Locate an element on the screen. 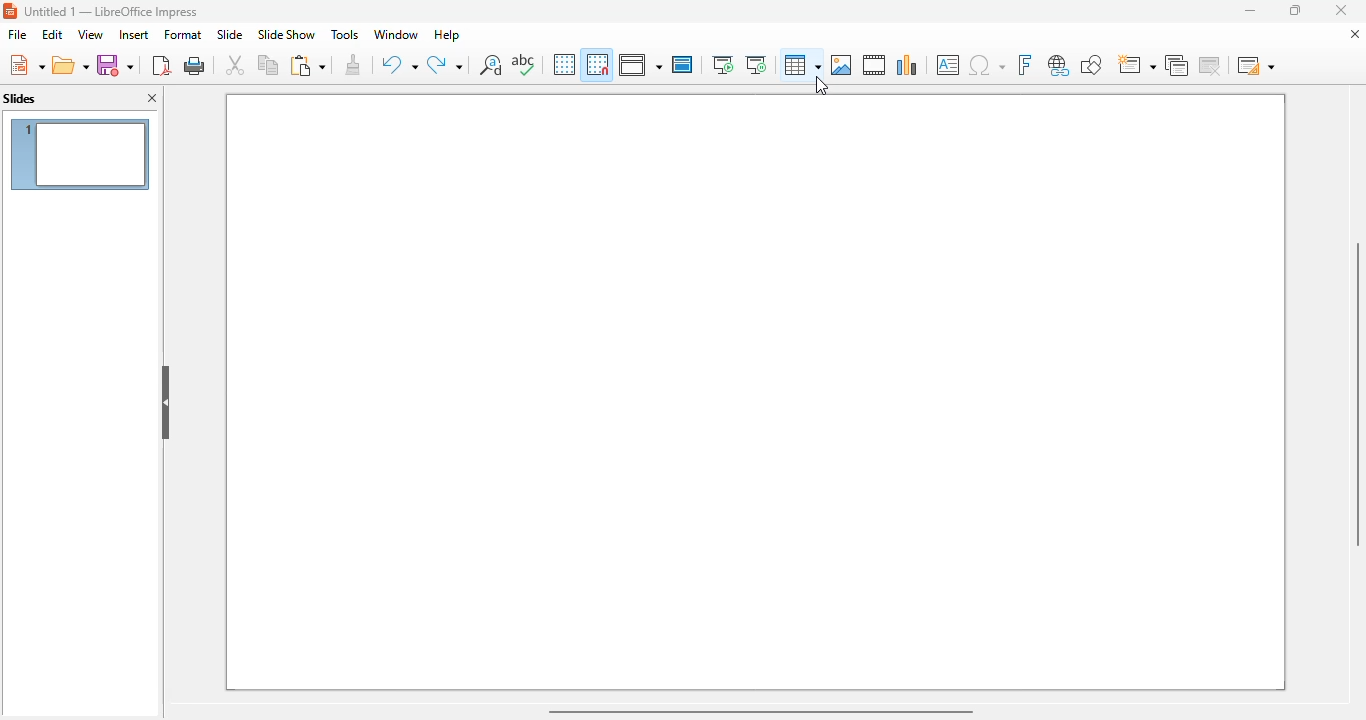  print is located at coordinates (195, 66).